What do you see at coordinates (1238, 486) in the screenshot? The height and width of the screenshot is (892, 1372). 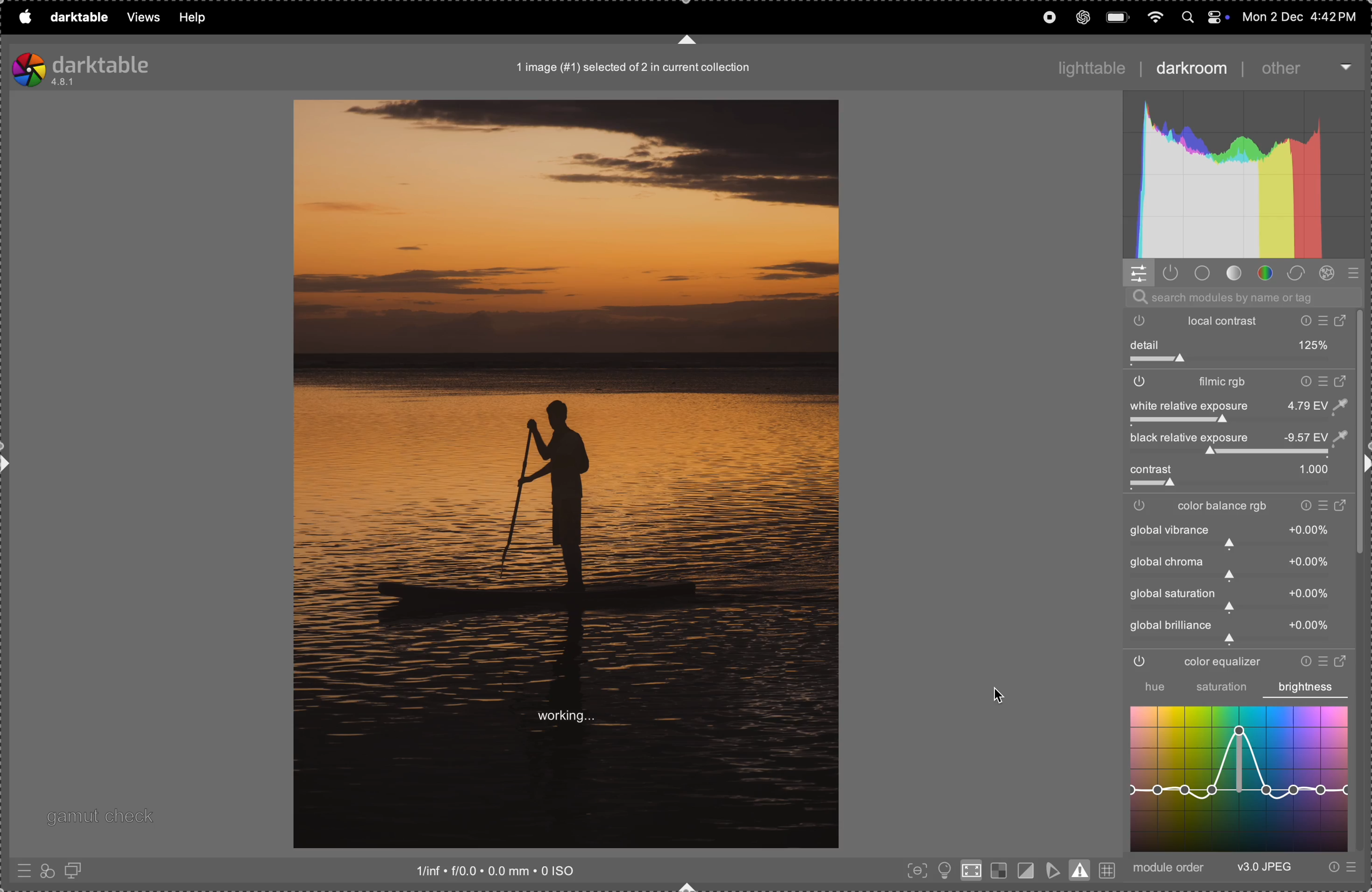 I see `toggle bar` at bounding box center [1238, 486].